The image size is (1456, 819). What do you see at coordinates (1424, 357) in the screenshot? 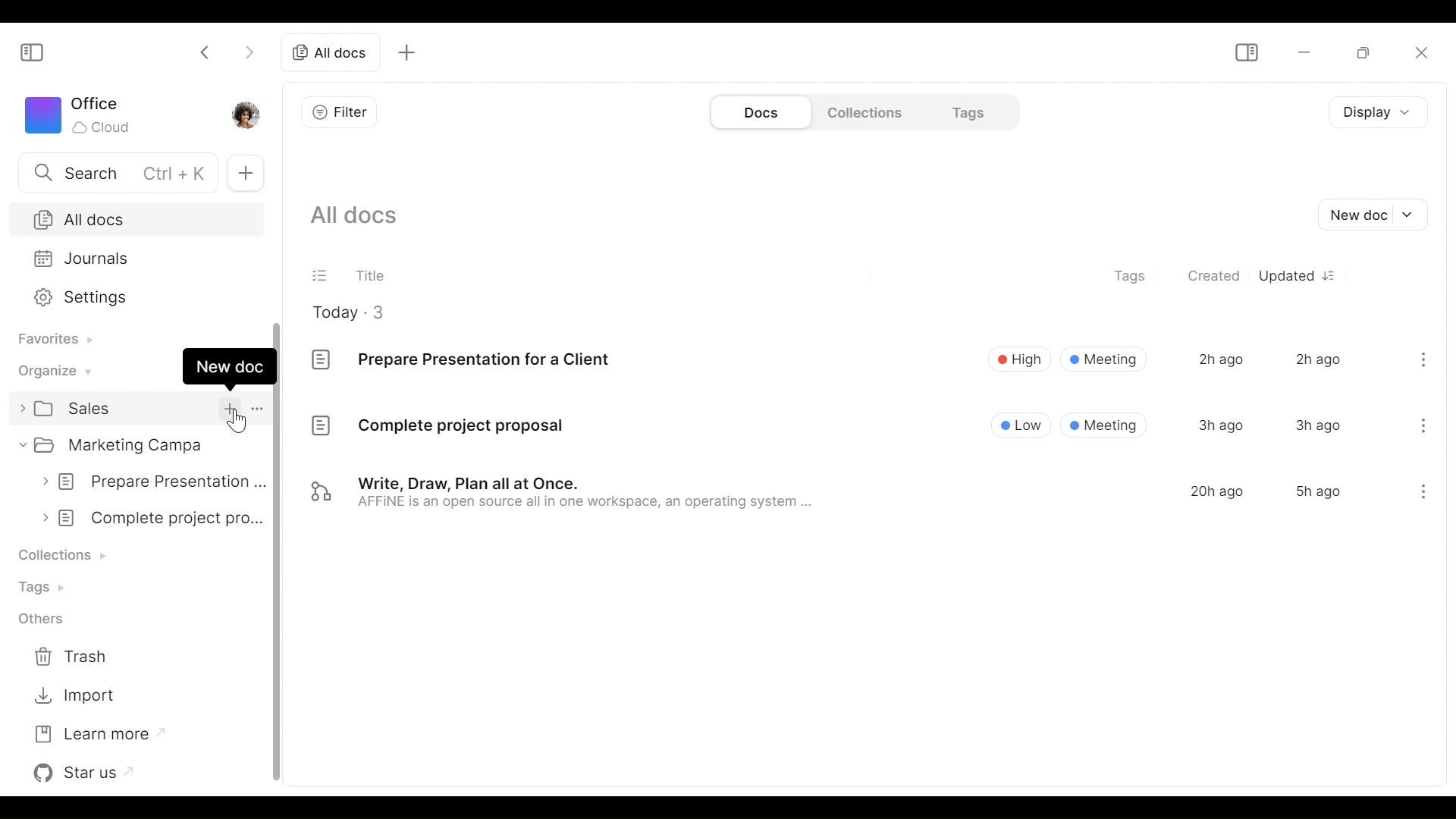
I see `menu icon` at bounding box center [1424, 357].